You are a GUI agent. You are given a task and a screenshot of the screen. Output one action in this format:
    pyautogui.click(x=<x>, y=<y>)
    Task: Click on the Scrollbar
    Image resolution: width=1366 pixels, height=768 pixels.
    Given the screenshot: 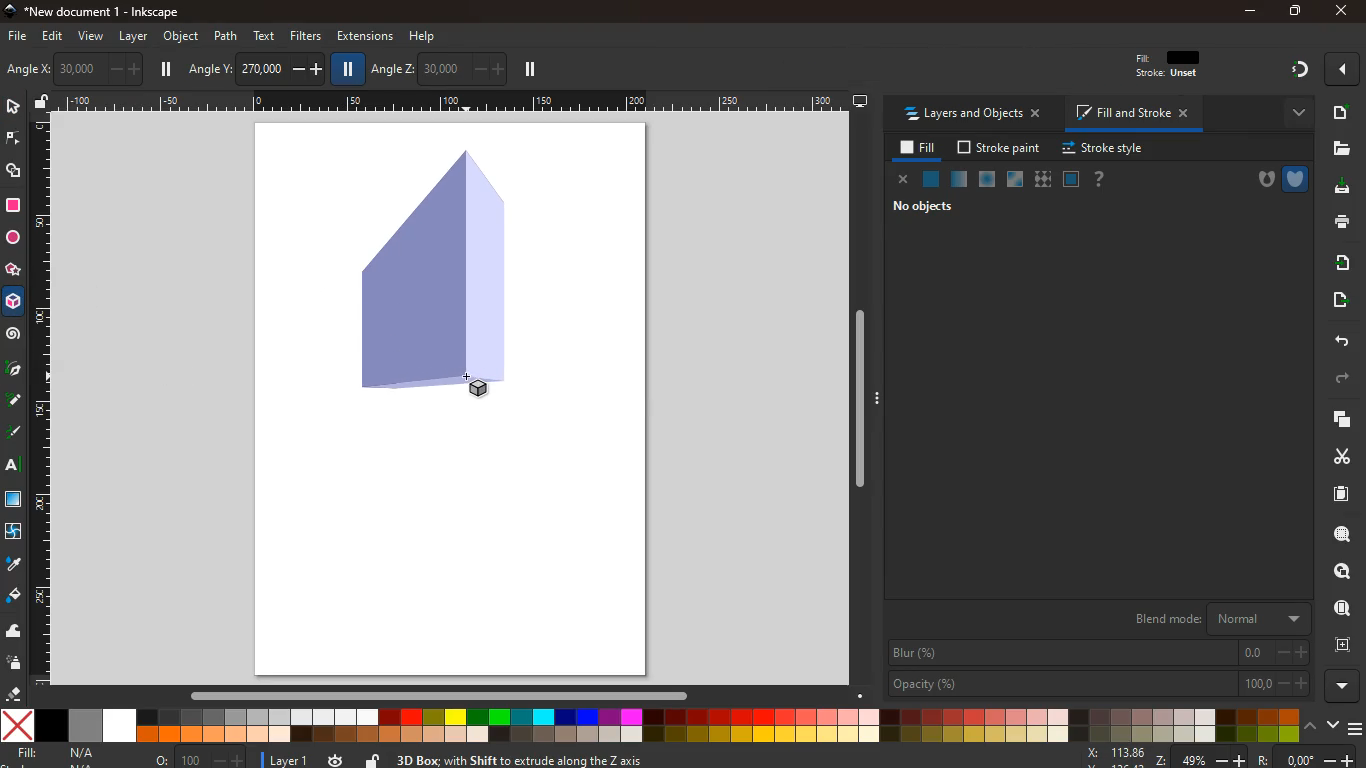 What is the action you would take?
    pyautogui.click(x=859, y=395)
    